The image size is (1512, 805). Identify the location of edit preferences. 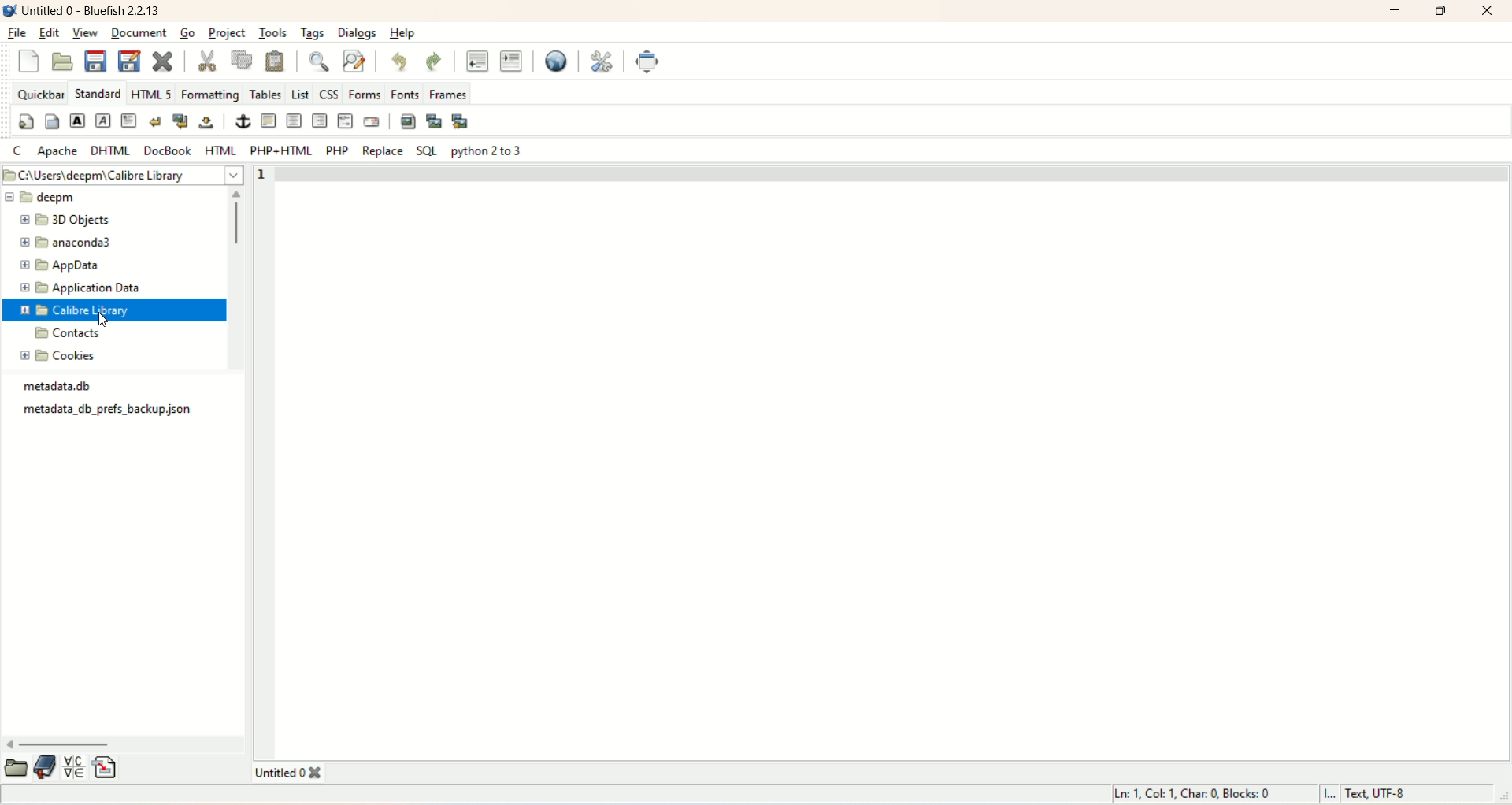
(603, 61).